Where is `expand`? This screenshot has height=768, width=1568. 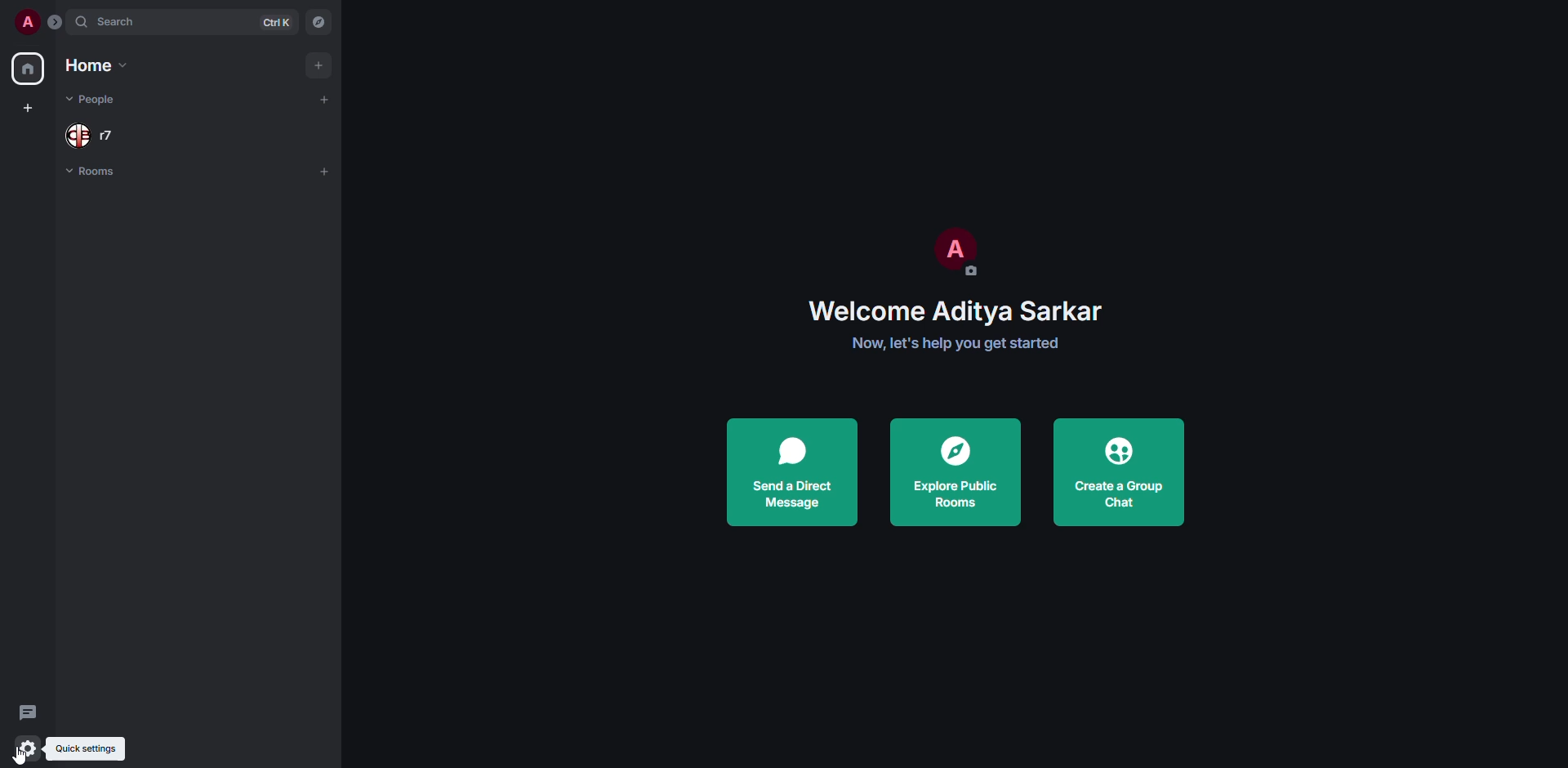
expand is located at coordinates (55, 21).